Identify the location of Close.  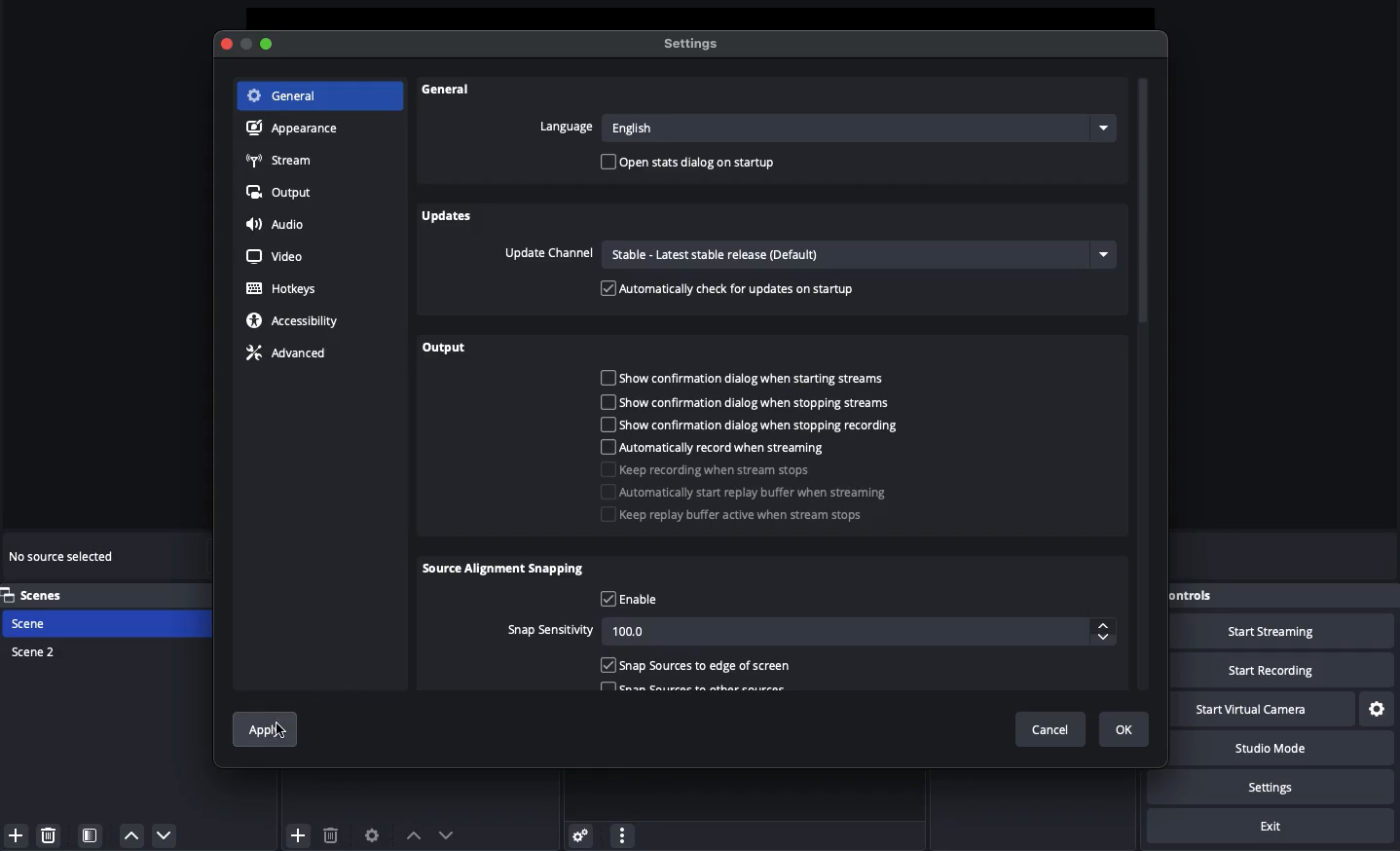
(229, 44).